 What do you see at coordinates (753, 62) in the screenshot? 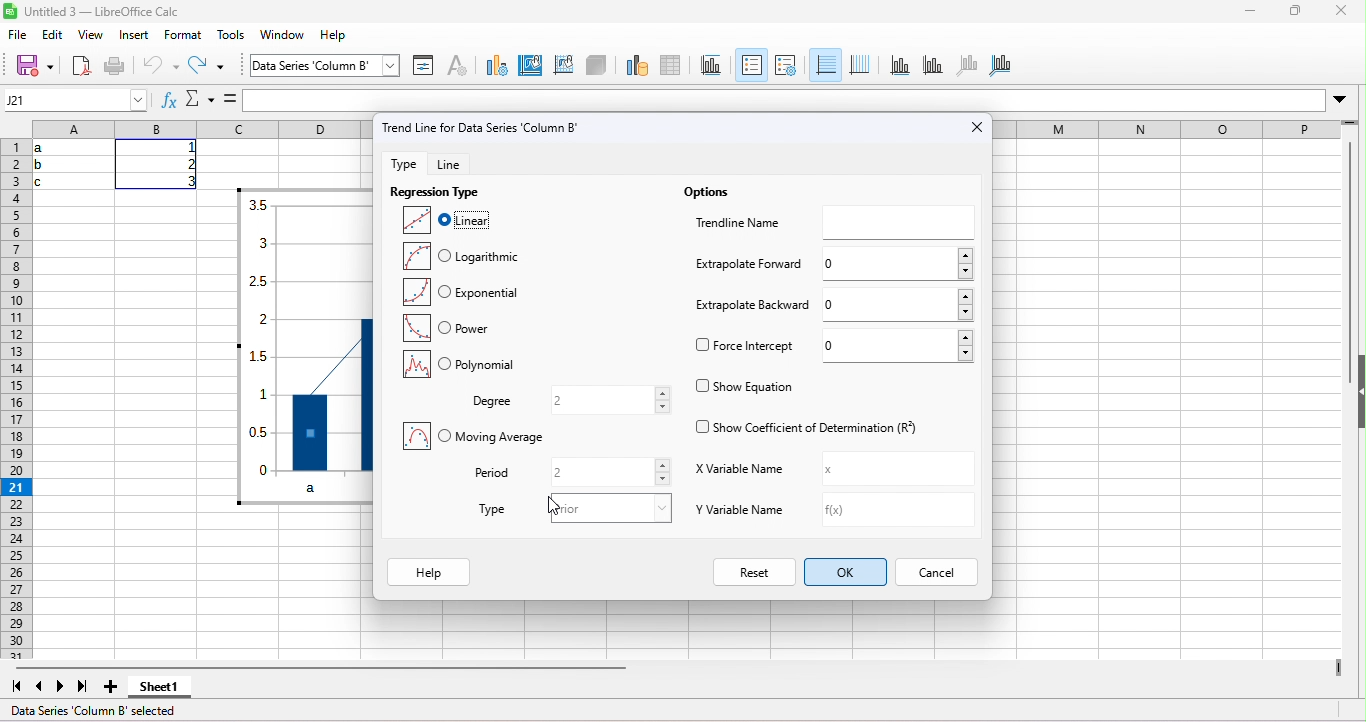
I see `legends on/off` at bounding box center [753, 62].